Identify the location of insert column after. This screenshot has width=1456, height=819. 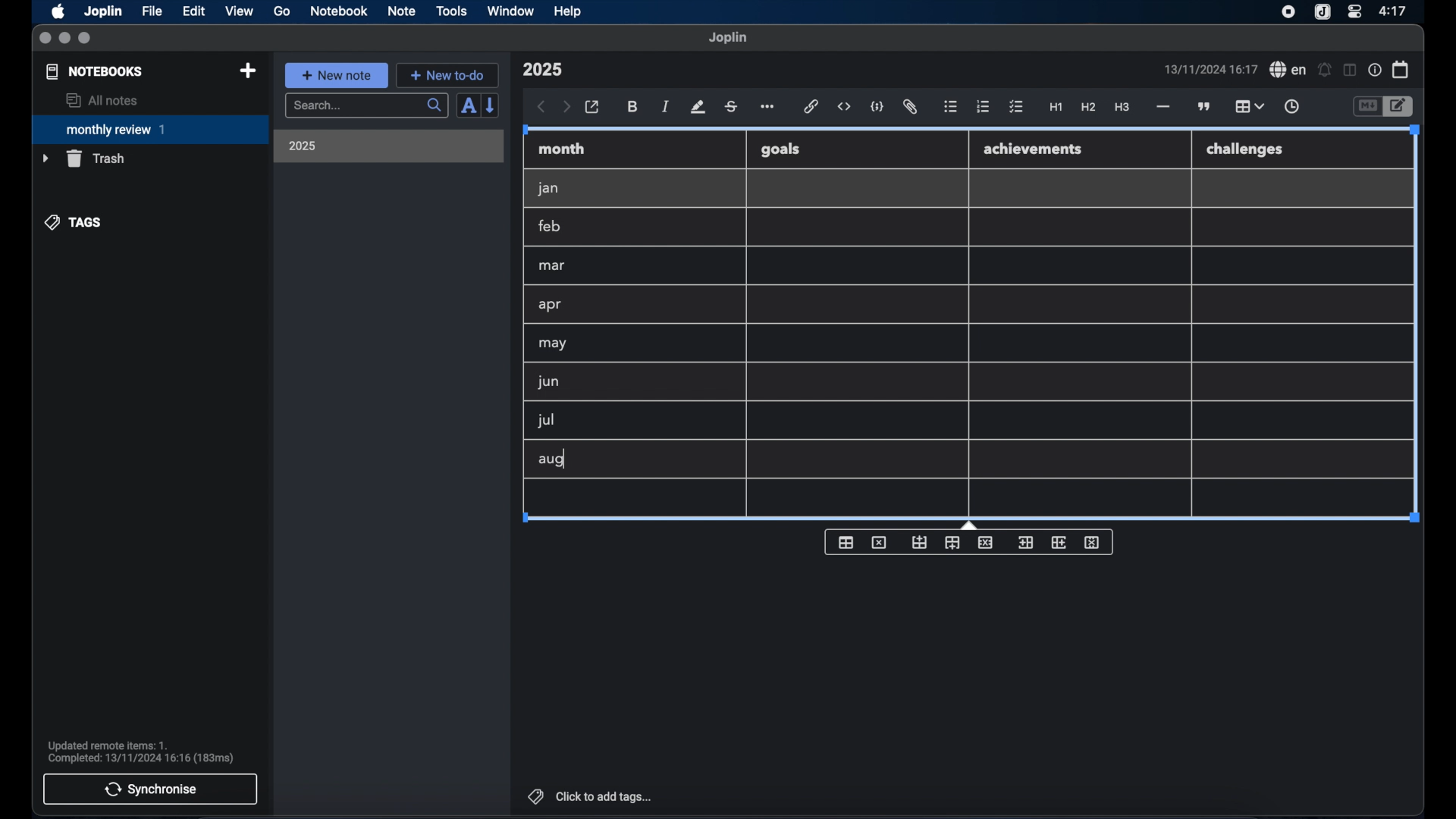
(1059, 542).